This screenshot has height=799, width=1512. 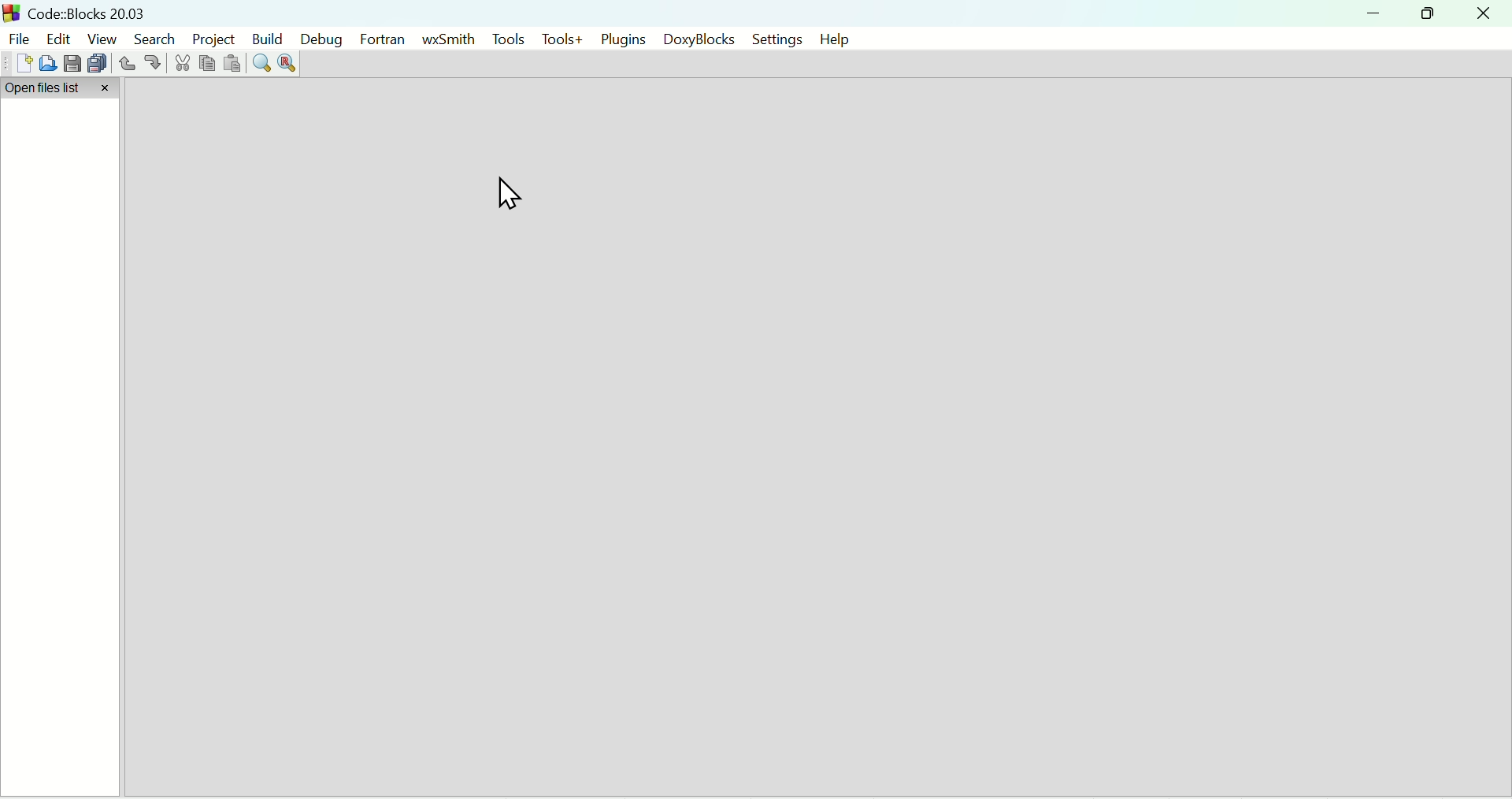 What do you see at coordinates (320, 39) in the screenshot?
I see `Debug` at bounding box center [320, 39].